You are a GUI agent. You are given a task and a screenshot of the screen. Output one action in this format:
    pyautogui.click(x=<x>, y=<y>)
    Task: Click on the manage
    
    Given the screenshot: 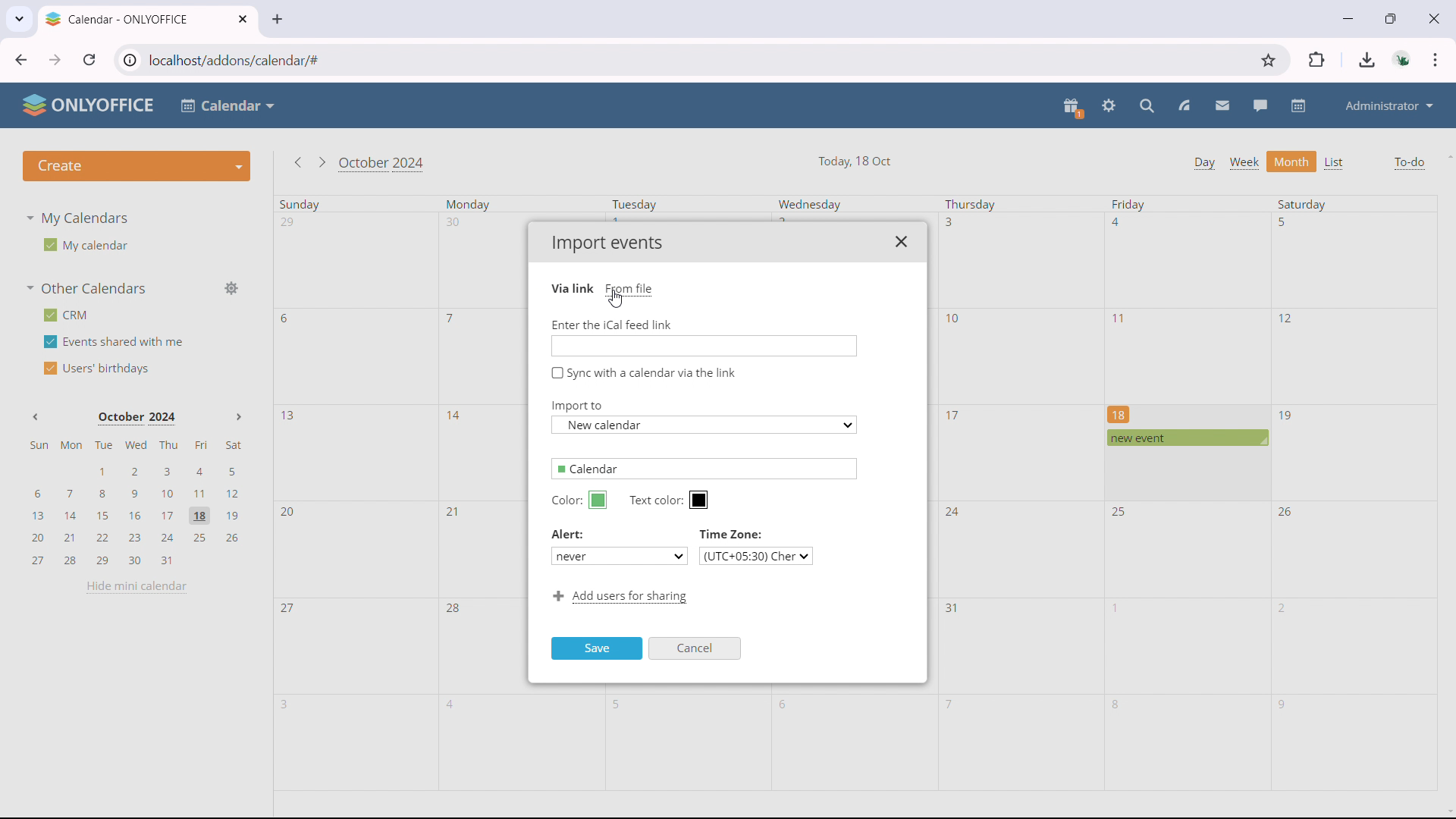 What is the action you would take?
    pyautogui.click(x=231, y=289)
    